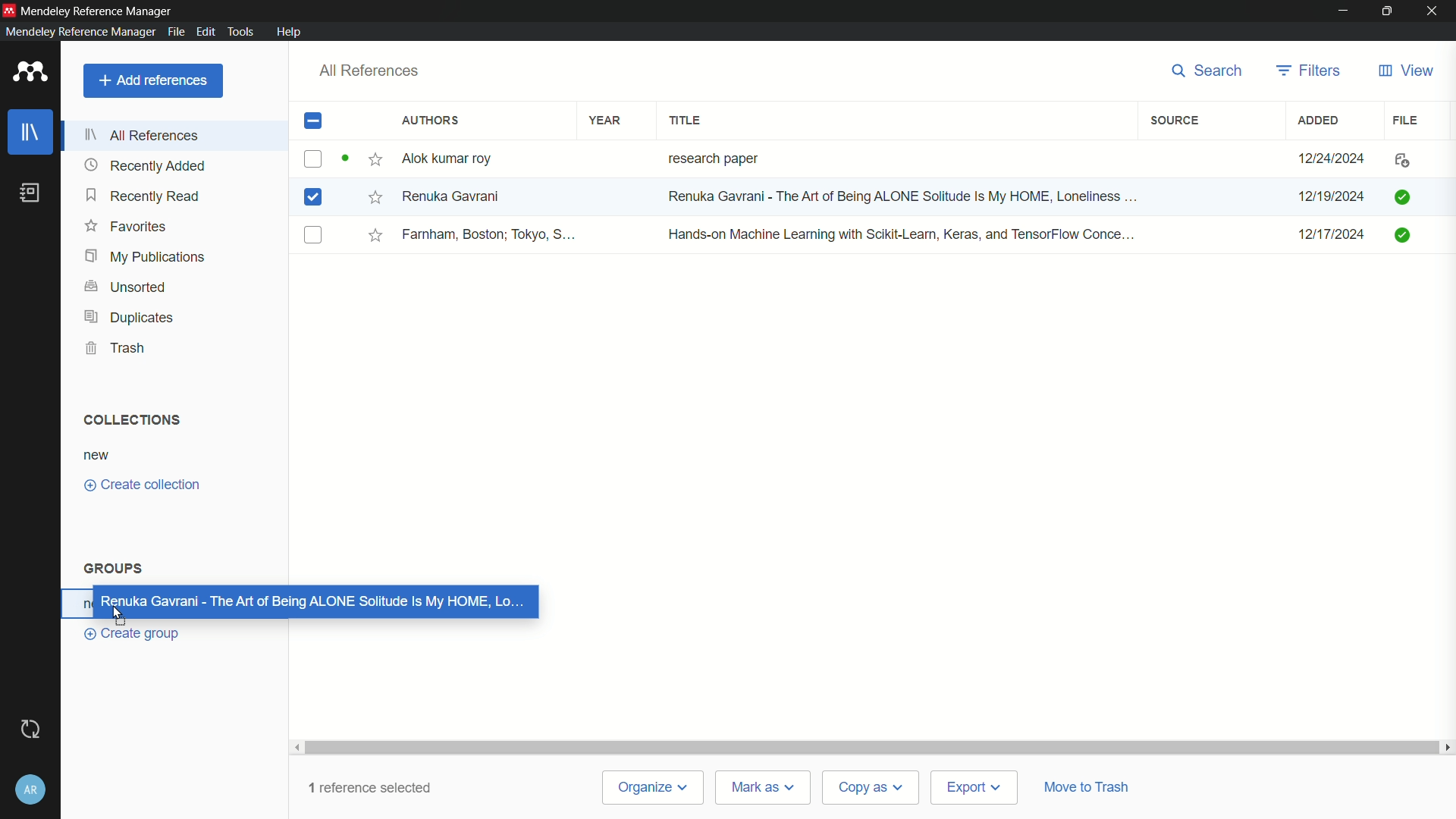 Image resolution: width=1456 pixels, height=819 pixels. I want to click on create group, so click(136, 633).